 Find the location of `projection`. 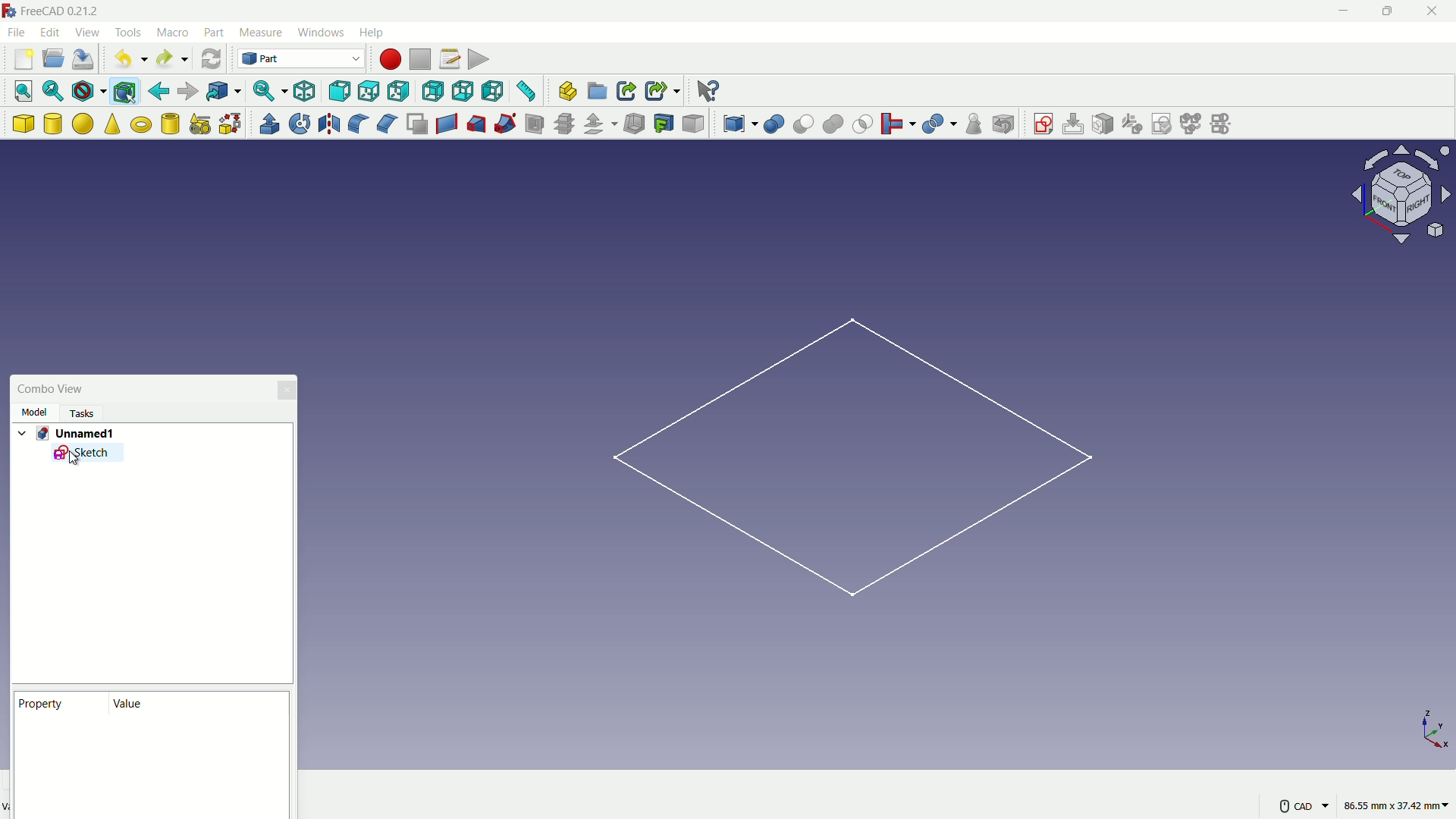

projection is located at coordinates (664, 124).